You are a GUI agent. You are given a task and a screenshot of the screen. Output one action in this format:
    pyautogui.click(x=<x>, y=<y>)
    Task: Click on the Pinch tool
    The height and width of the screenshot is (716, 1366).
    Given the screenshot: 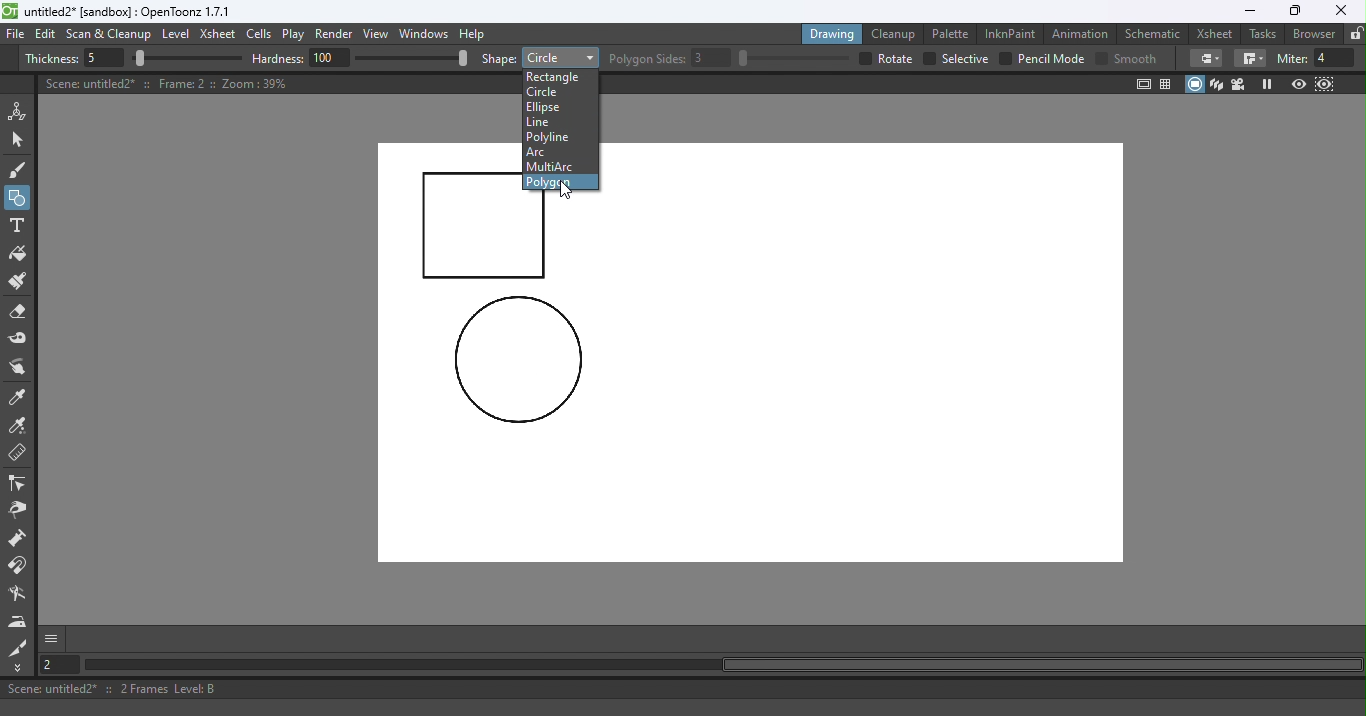 What is the action you would take?
    pyautogui.click(x=17, y=513)
    